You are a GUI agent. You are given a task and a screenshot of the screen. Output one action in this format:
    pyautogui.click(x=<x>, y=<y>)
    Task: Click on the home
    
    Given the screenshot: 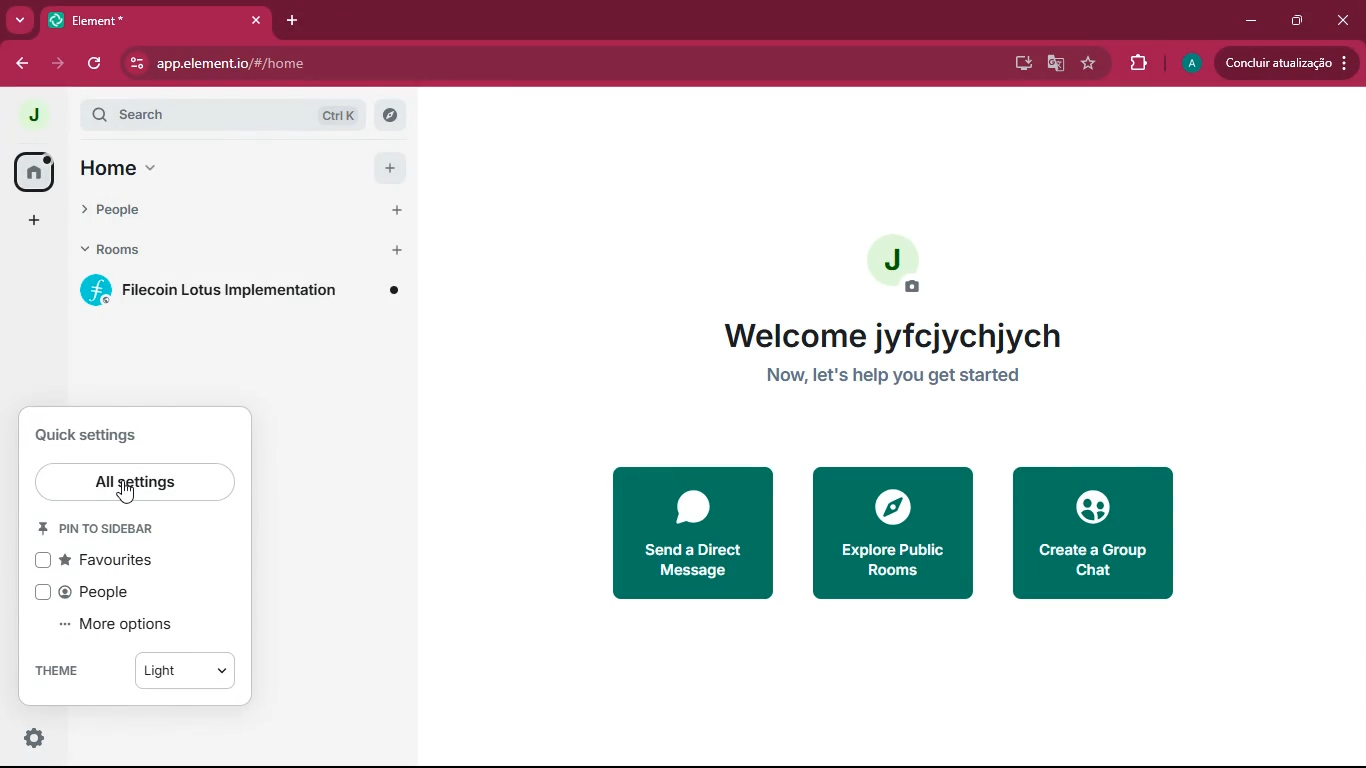 What is the action you would take?
    pyautogui.click(x=33, y=171)
    